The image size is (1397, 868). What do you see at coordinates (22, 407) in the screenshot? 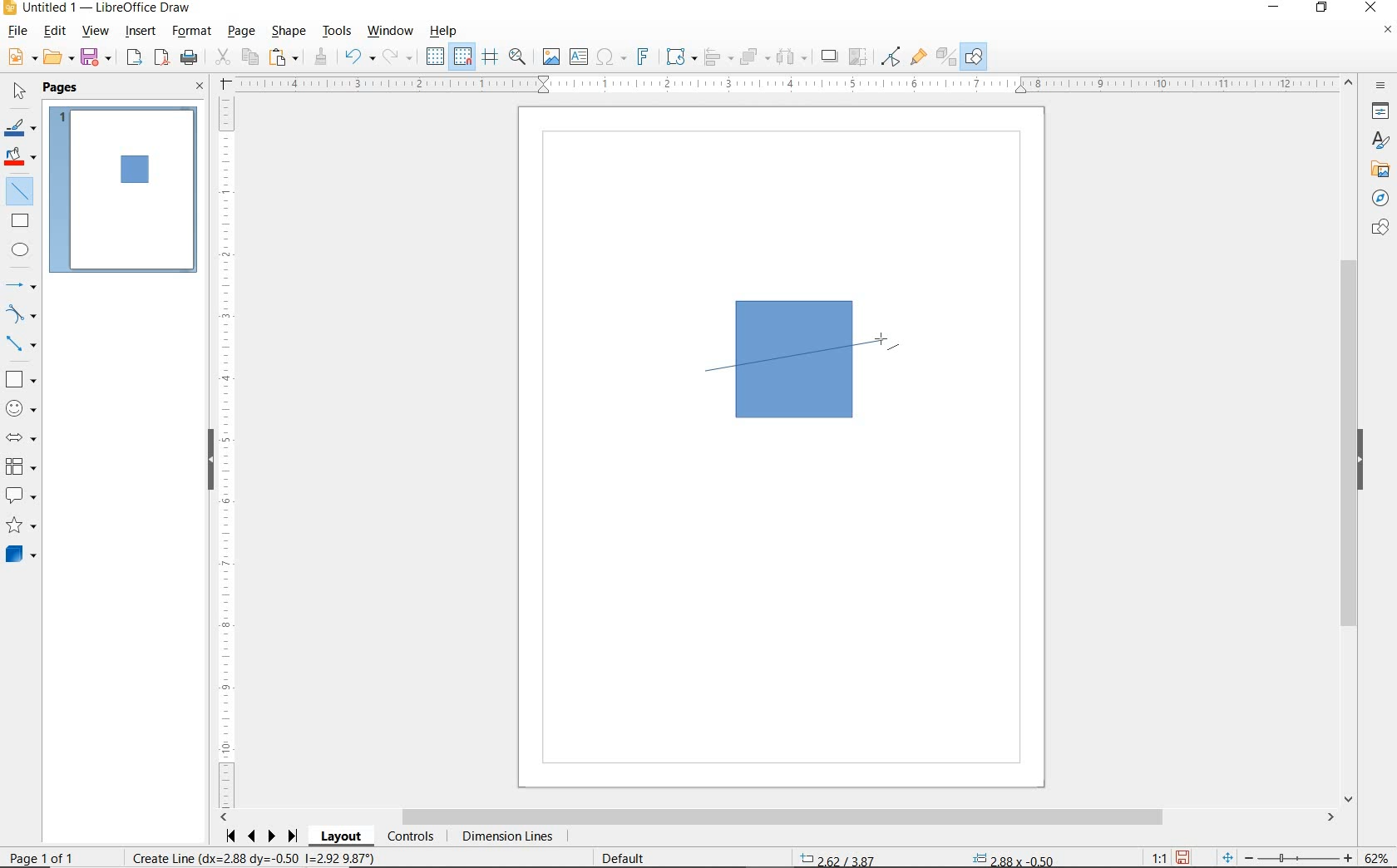
I see `SYMBOL SHAPES` at bounding box center [22, 407].